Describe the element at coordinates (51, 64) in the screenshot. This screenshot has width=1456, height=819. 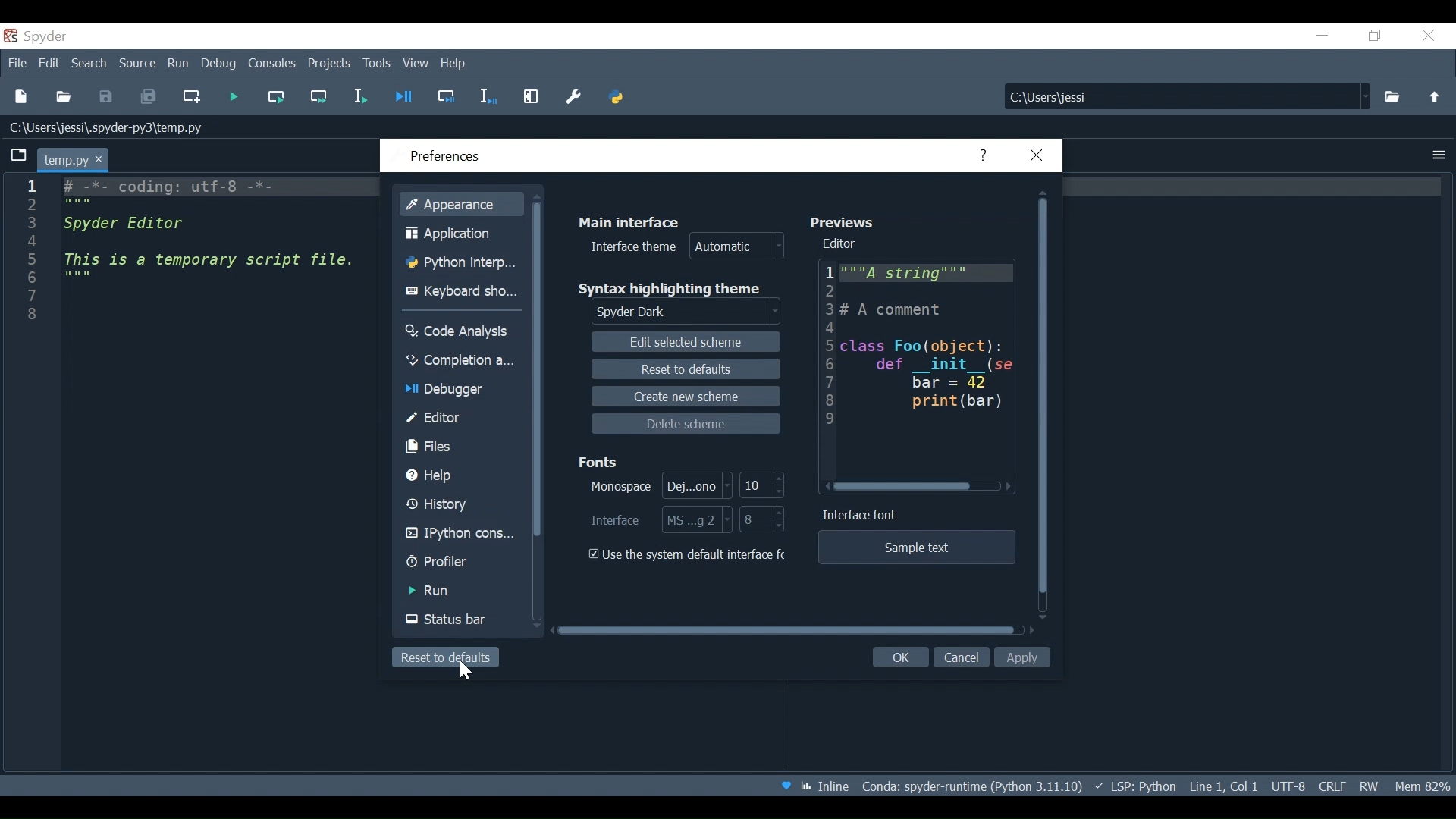
I see `Edit` at that location.